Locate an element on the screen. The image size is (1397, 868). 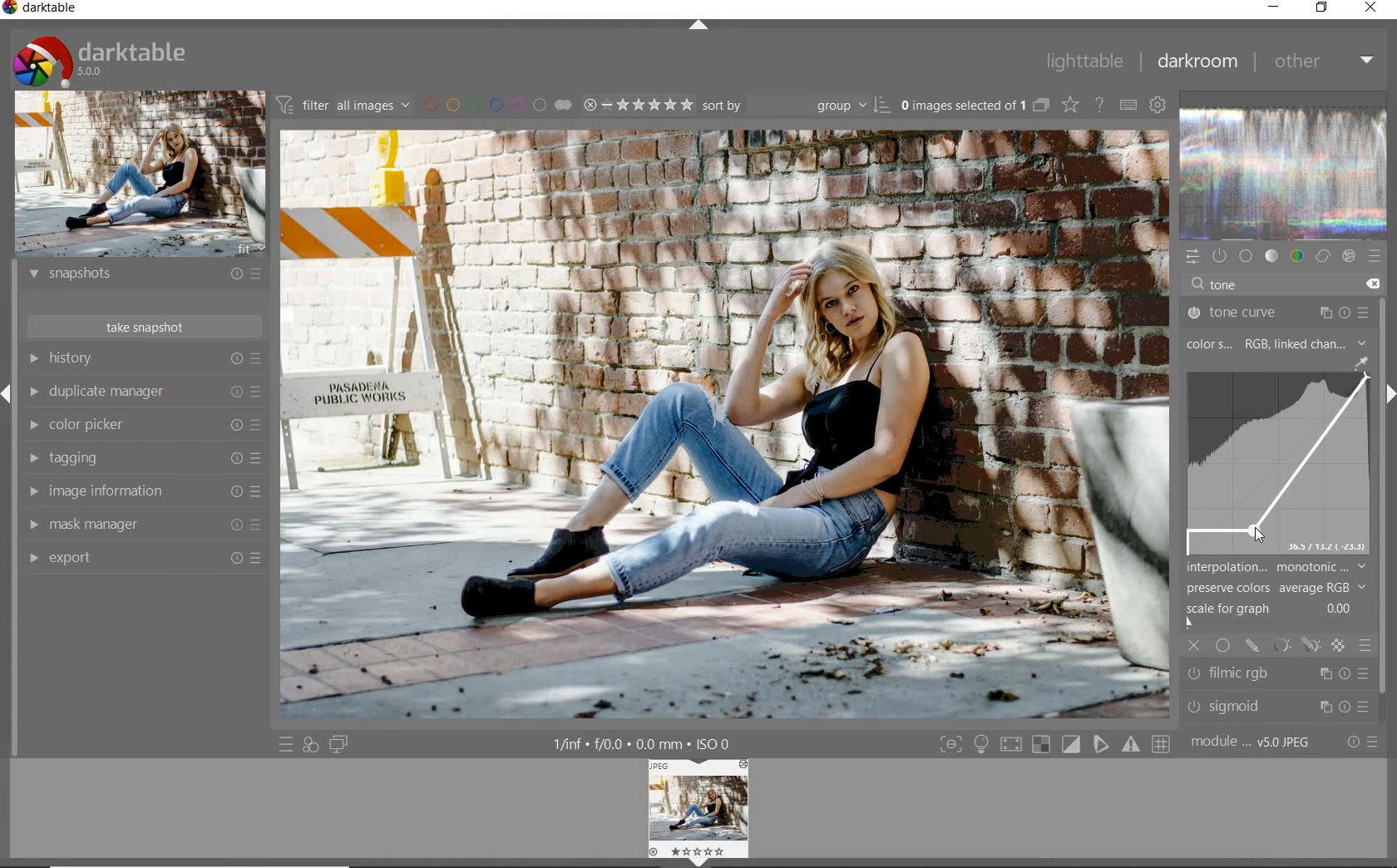
history is located at coordinates (144, 361).